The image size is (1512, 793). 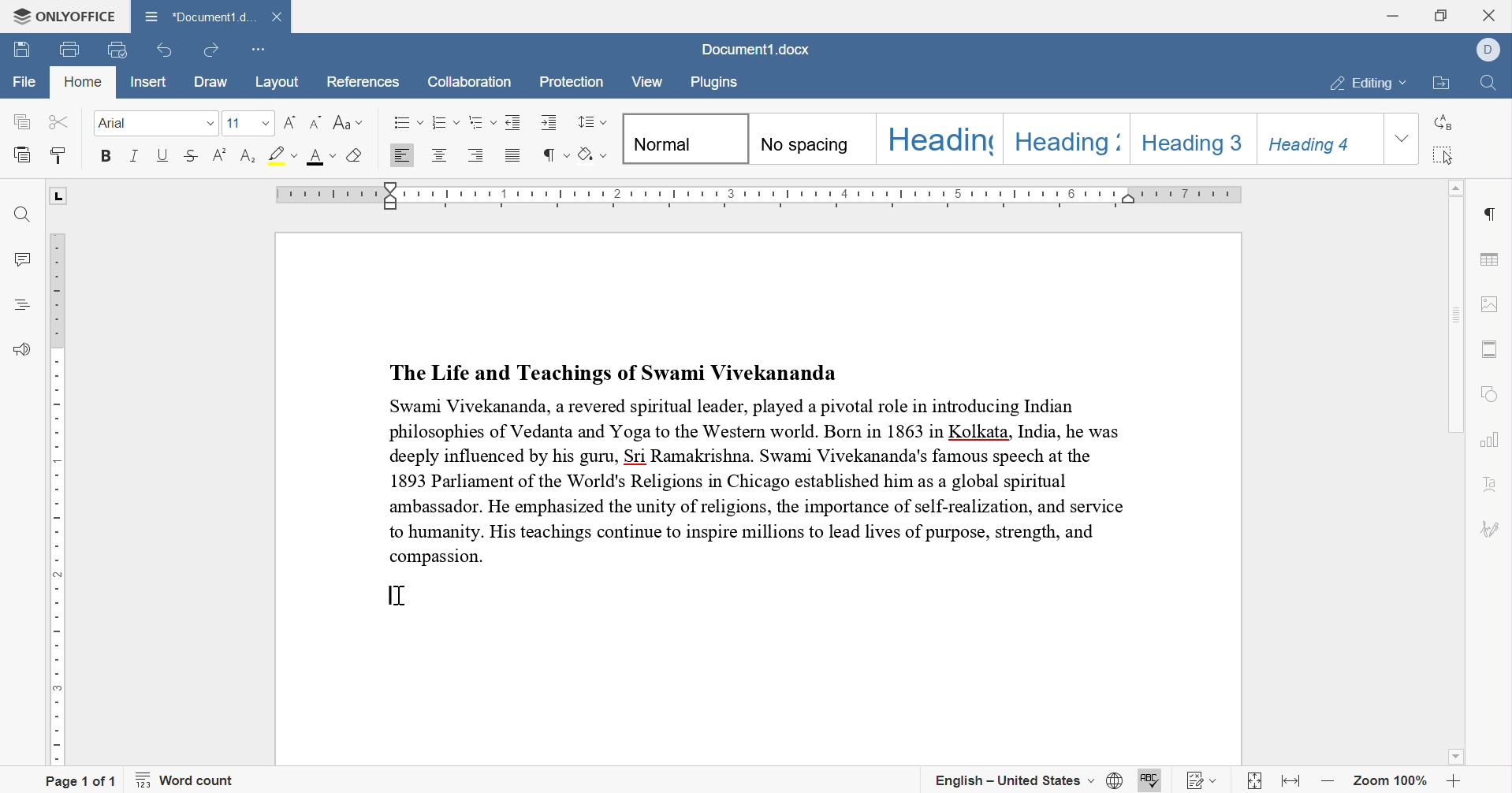 What do you see at coordinates (83, 81) in the screenshot?
I see `home` at bounding box center [83, 81].